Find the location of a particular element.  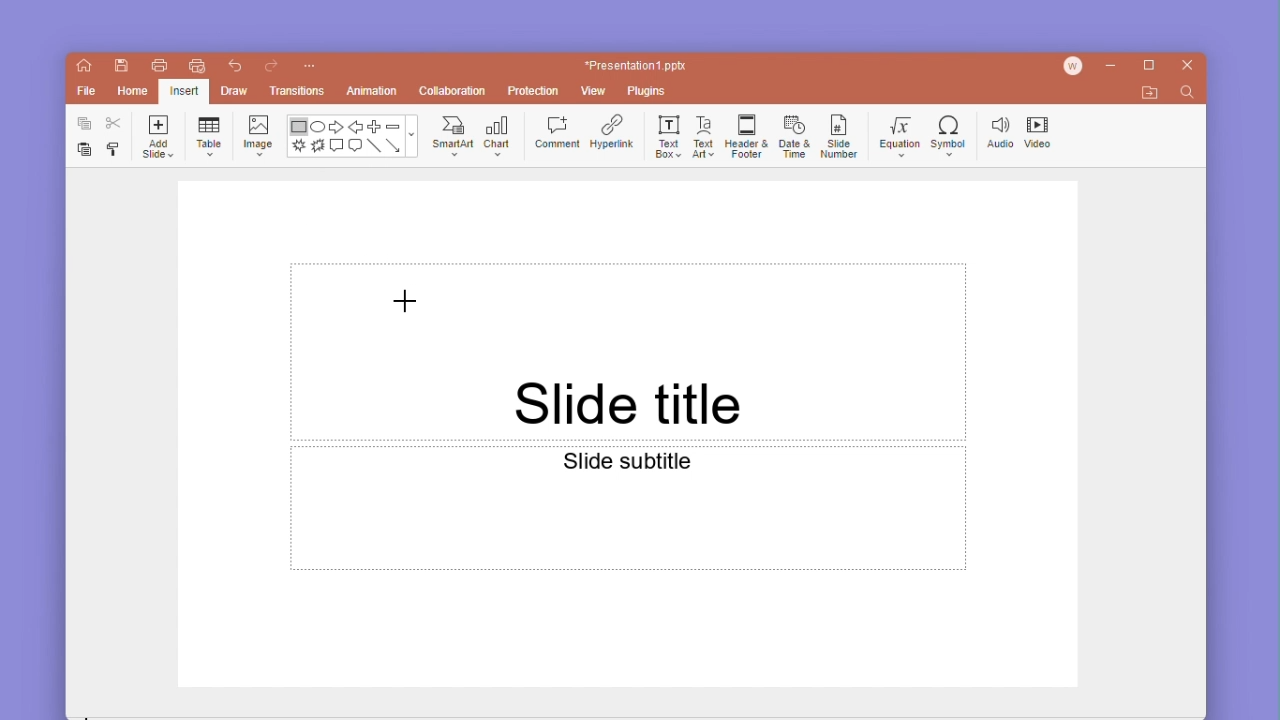

file is located at coordinates (86, 91).